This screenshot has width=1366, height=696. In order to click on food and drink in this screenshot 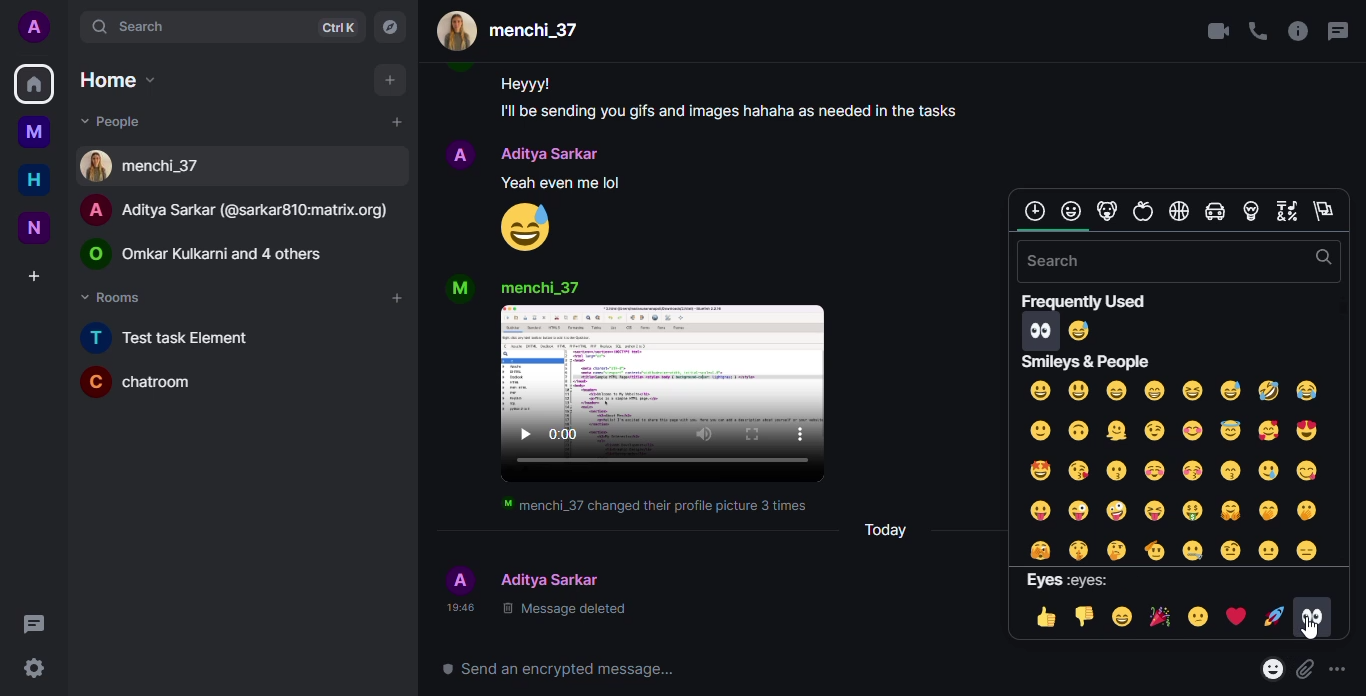, I will do `click(1142, 212)`.